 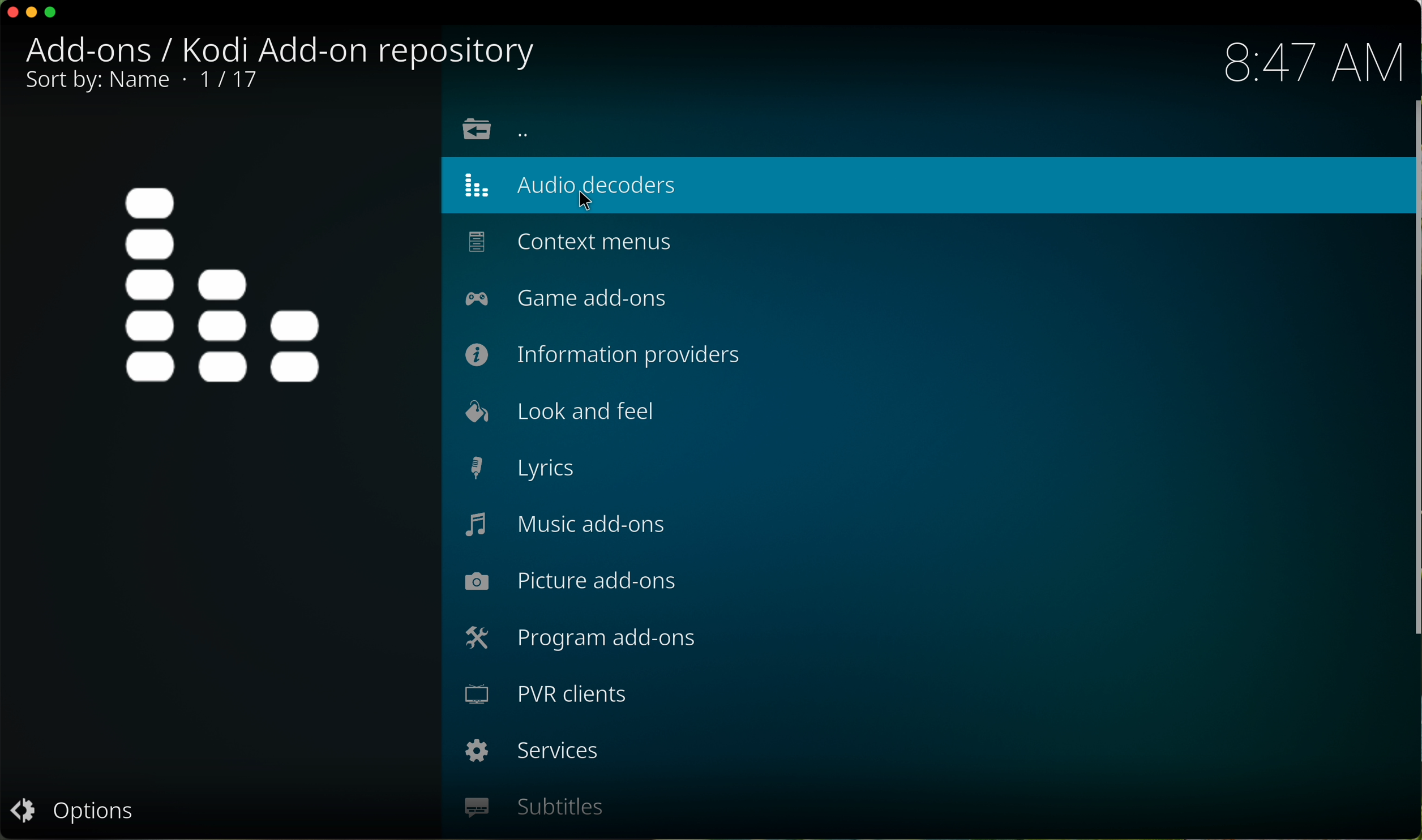 What do you see at coordinates (33, 12) in the screenshot?
I see `minimize` at bounding box center [33, 12].